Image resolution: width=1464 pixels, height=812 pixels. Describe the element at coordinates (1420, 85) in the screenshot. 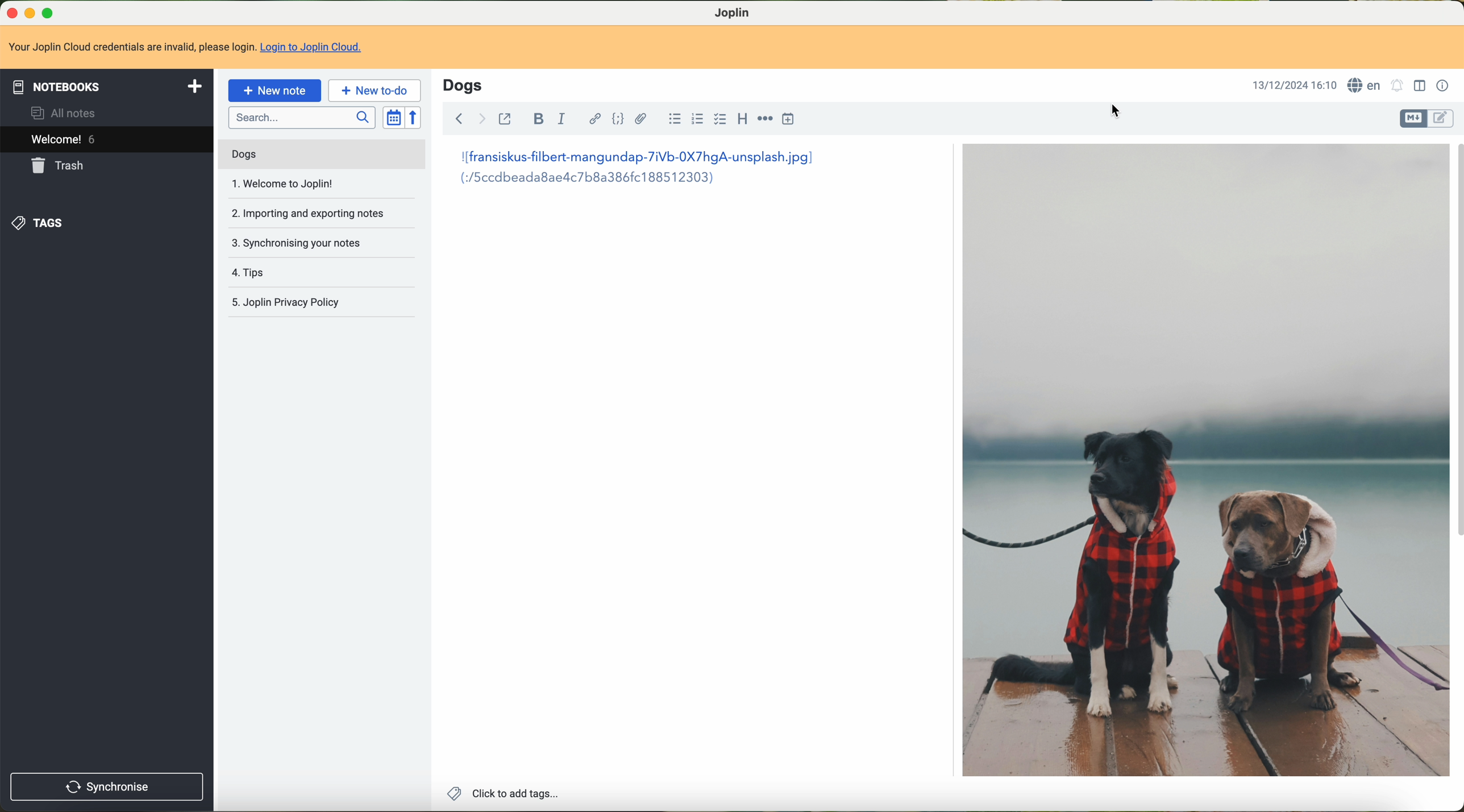

I see `toggle editor layout` at that location.